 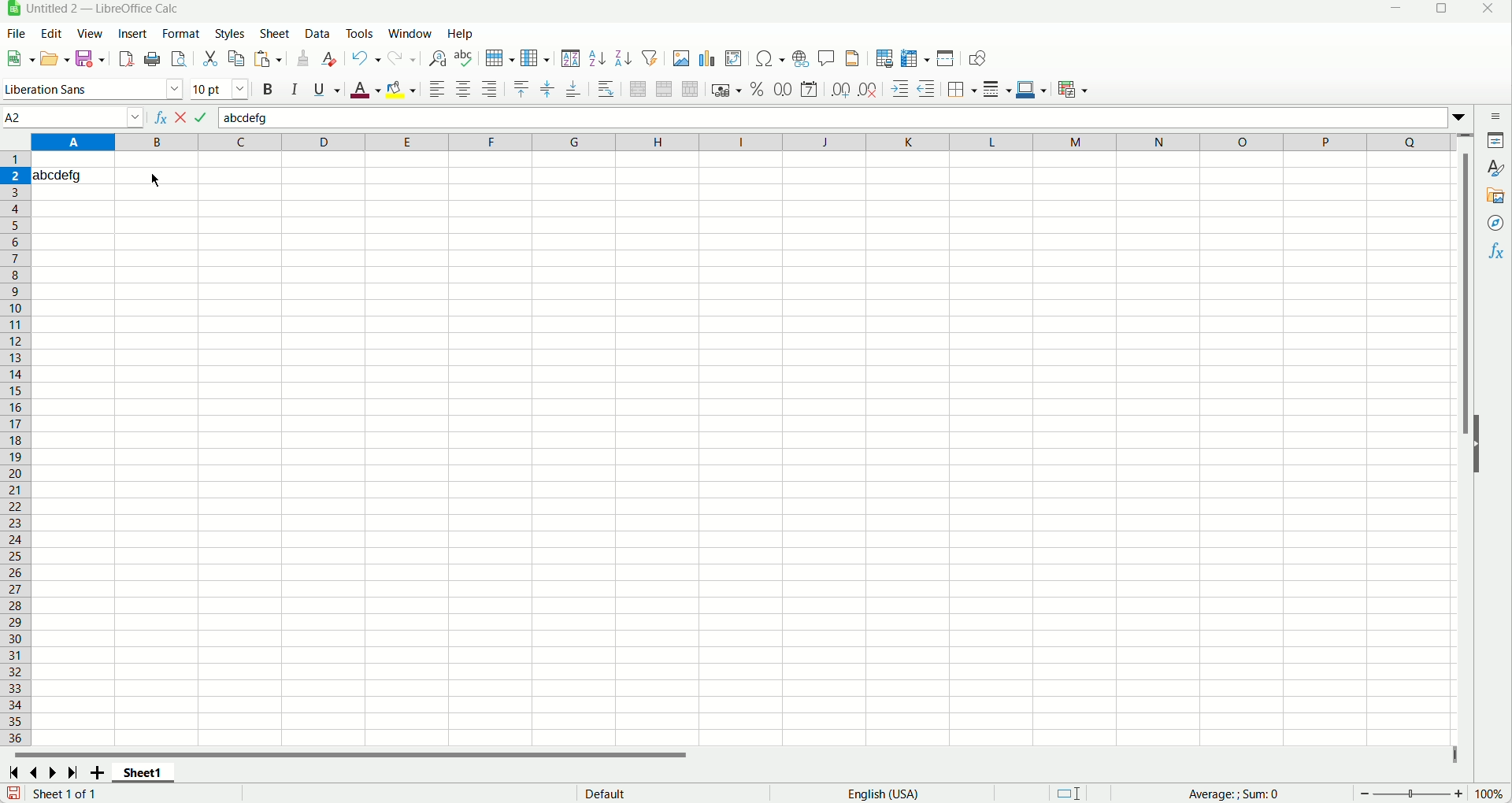 I want to click on scroll to last page, so click(x=72, y=771).